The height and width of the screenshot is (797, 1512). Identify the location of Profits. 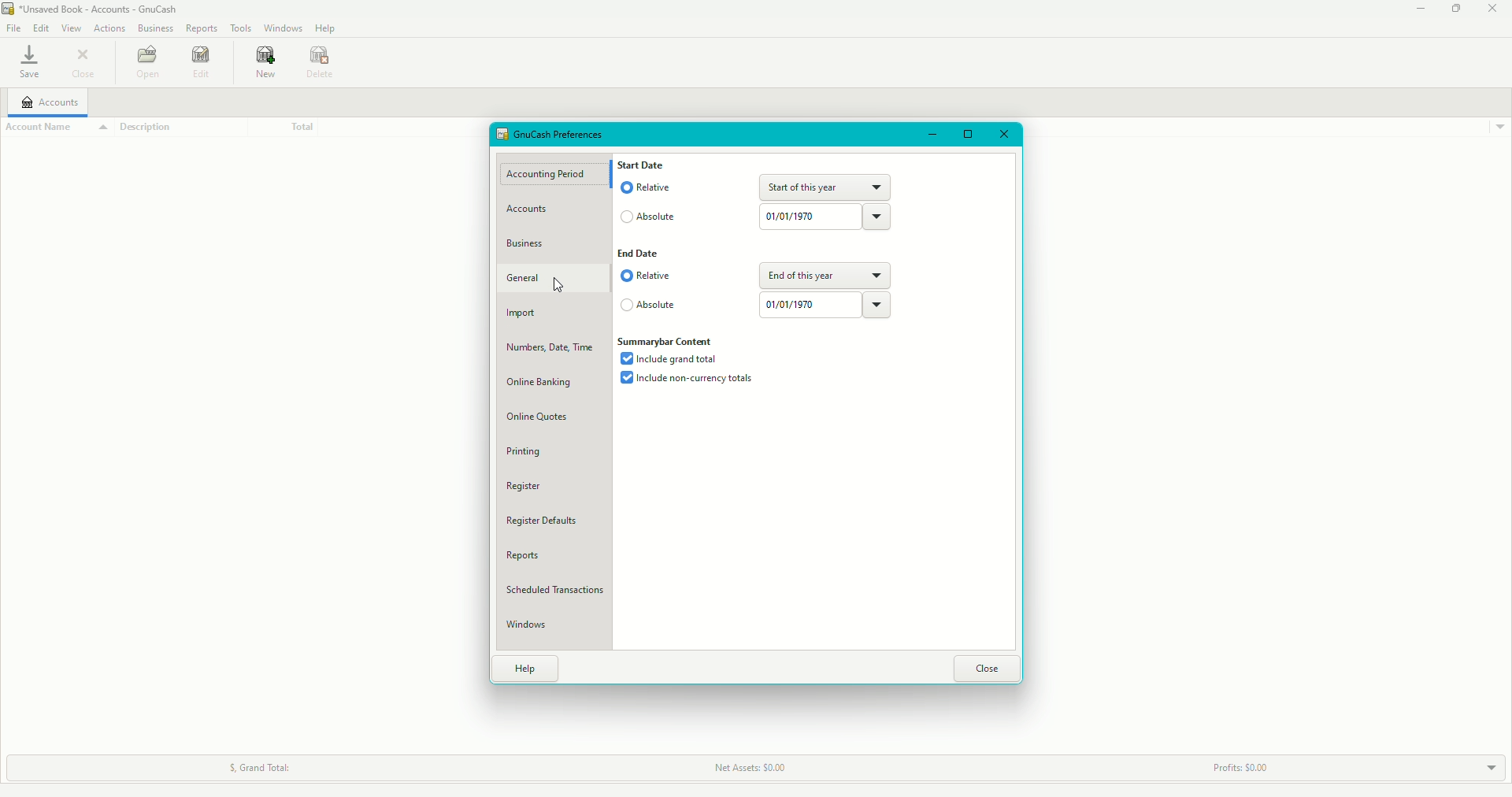
(1232, 768).